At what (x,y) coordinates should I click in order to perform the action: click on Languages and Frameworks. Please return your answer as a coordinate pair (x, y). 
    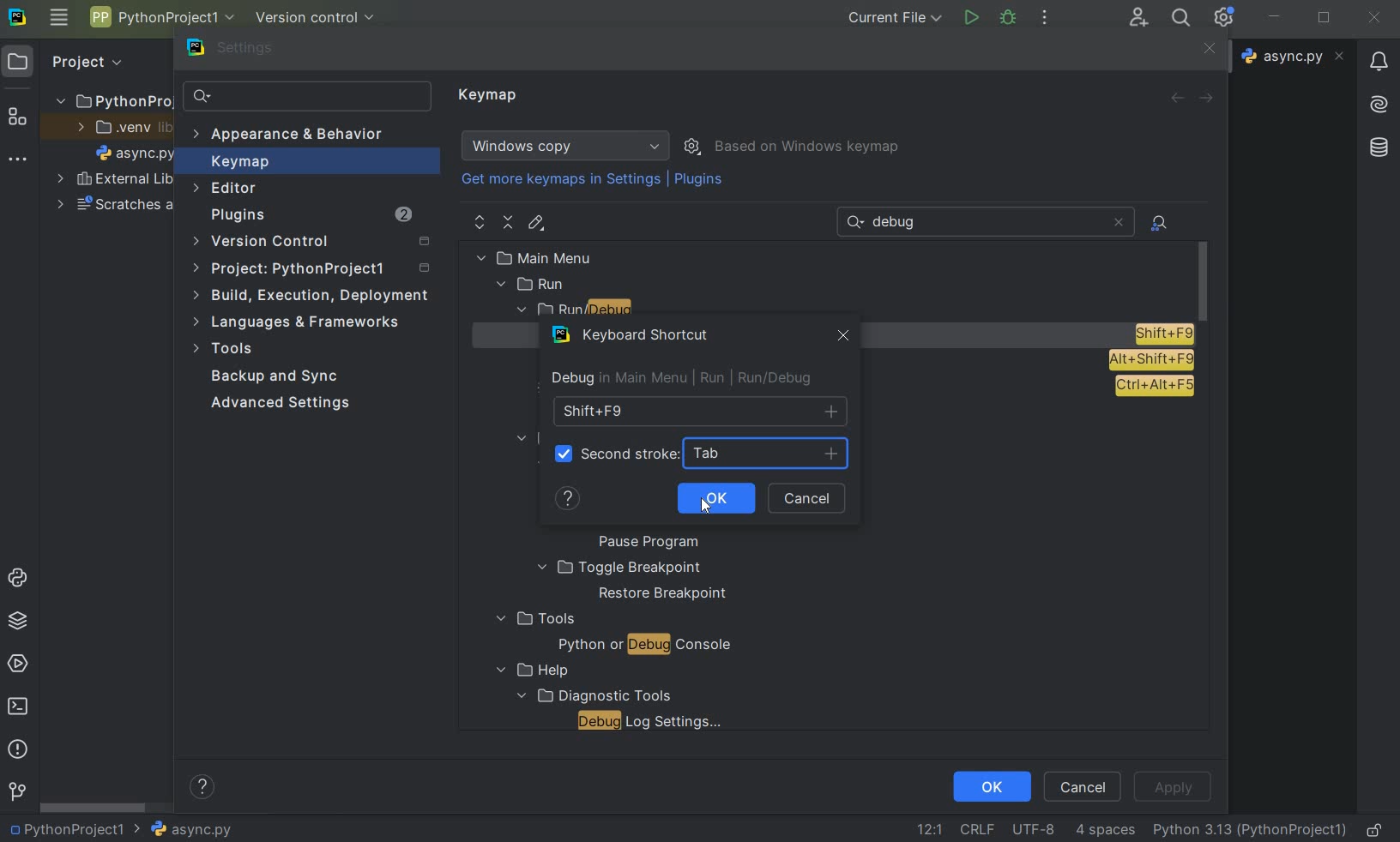
    Looking at the image, I should click on (302, 322).